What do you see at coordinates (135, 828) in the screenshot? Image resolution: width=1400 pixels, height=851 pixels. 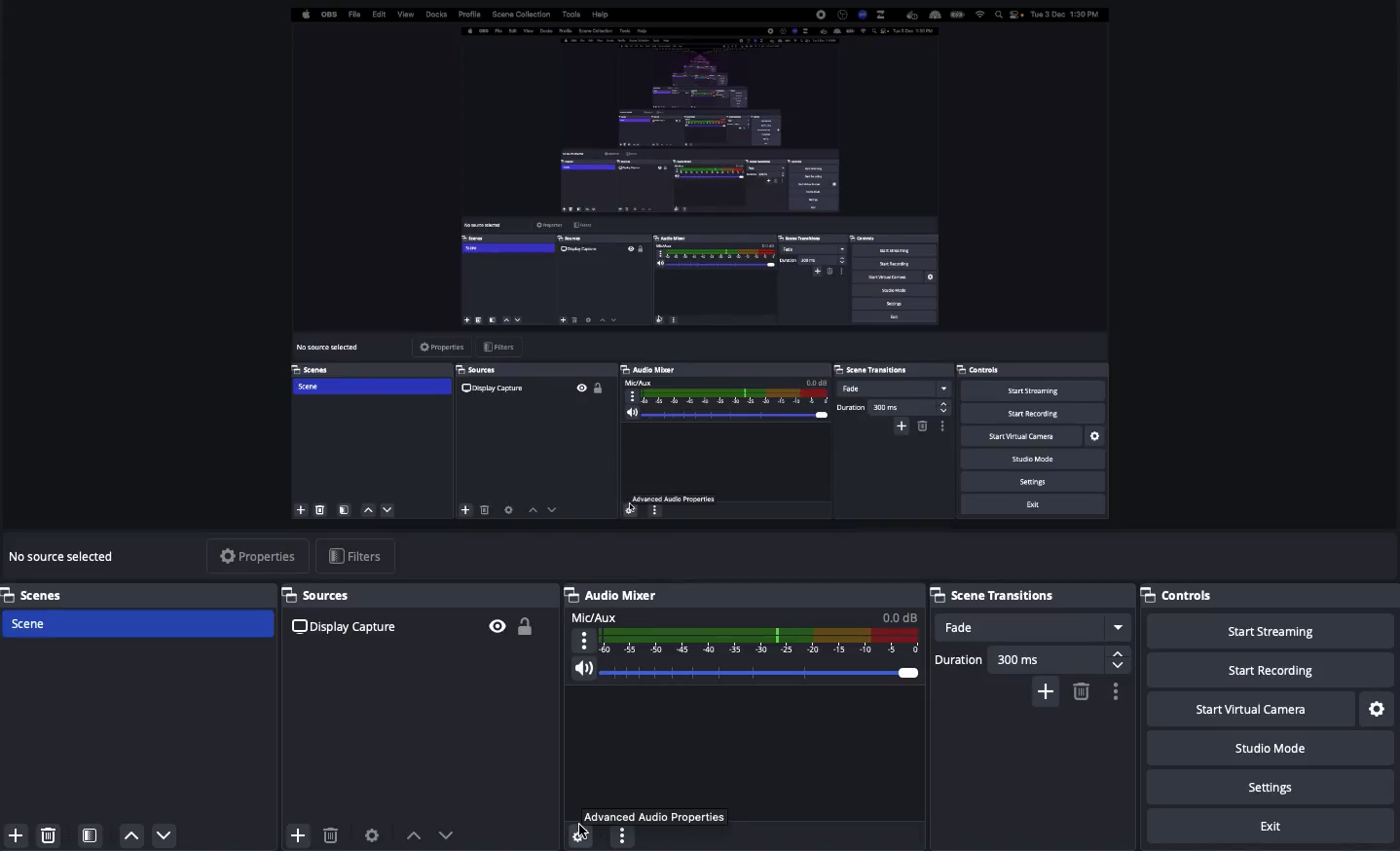 I see `move up` at bounding box center [135, 828].